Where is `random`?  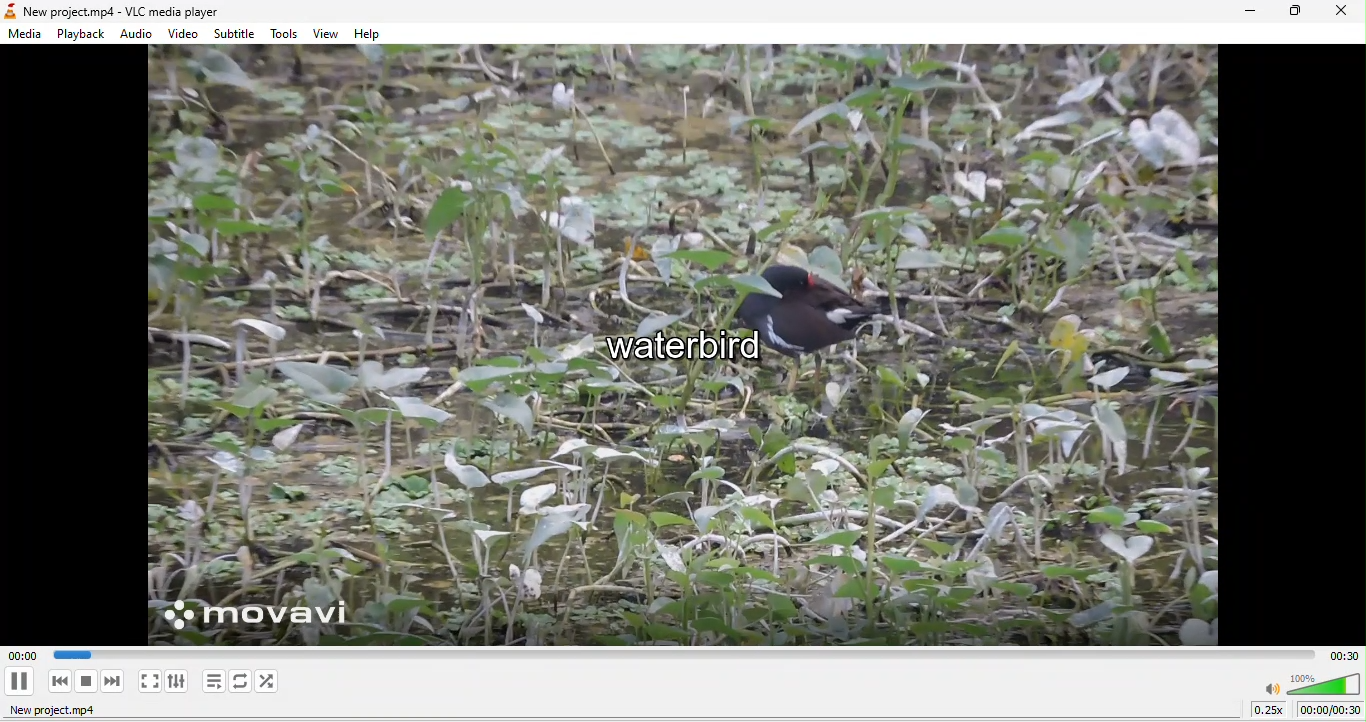 random is located at coordinates (271, 681).